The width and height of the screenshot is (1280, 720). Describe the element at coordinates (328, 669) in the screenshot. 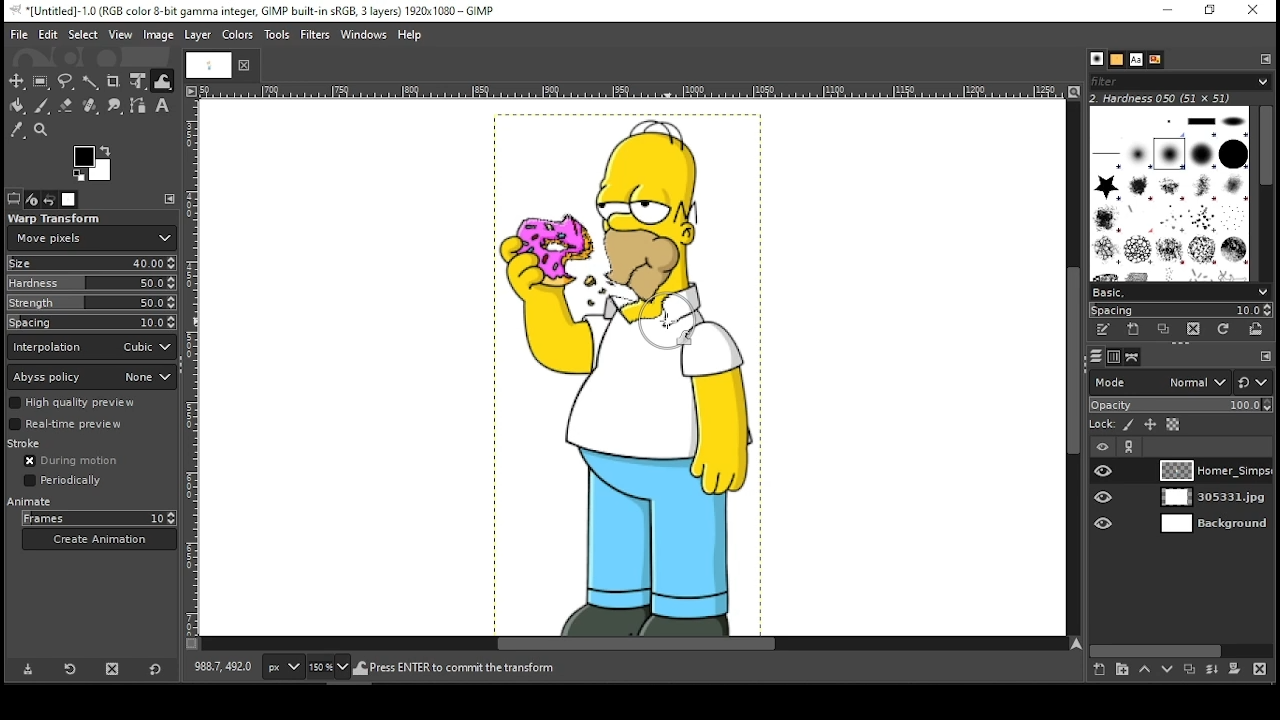

I see `zoom level` at that location.